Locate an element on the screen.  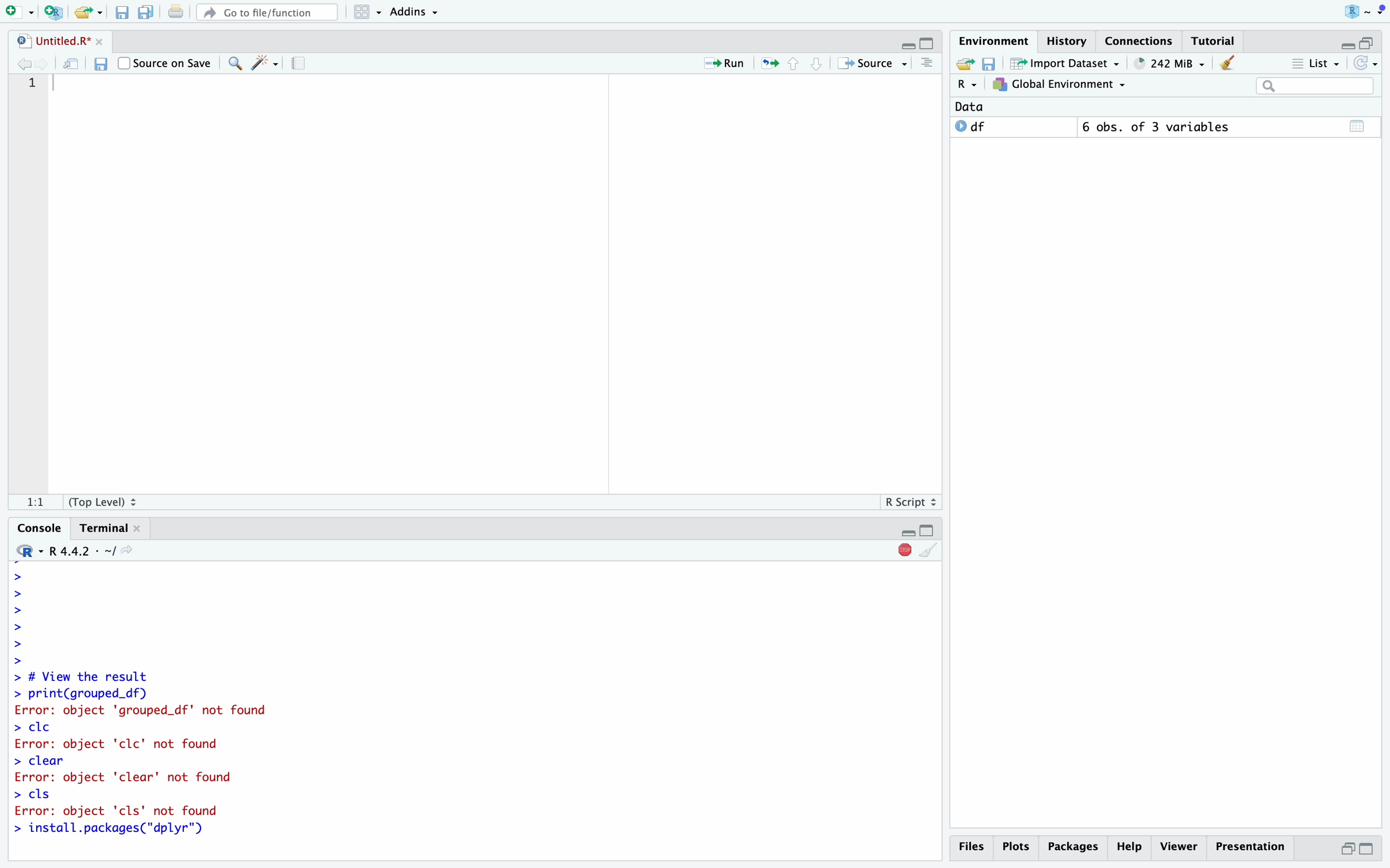
Find/Replace is located at coordinates (235, 64).